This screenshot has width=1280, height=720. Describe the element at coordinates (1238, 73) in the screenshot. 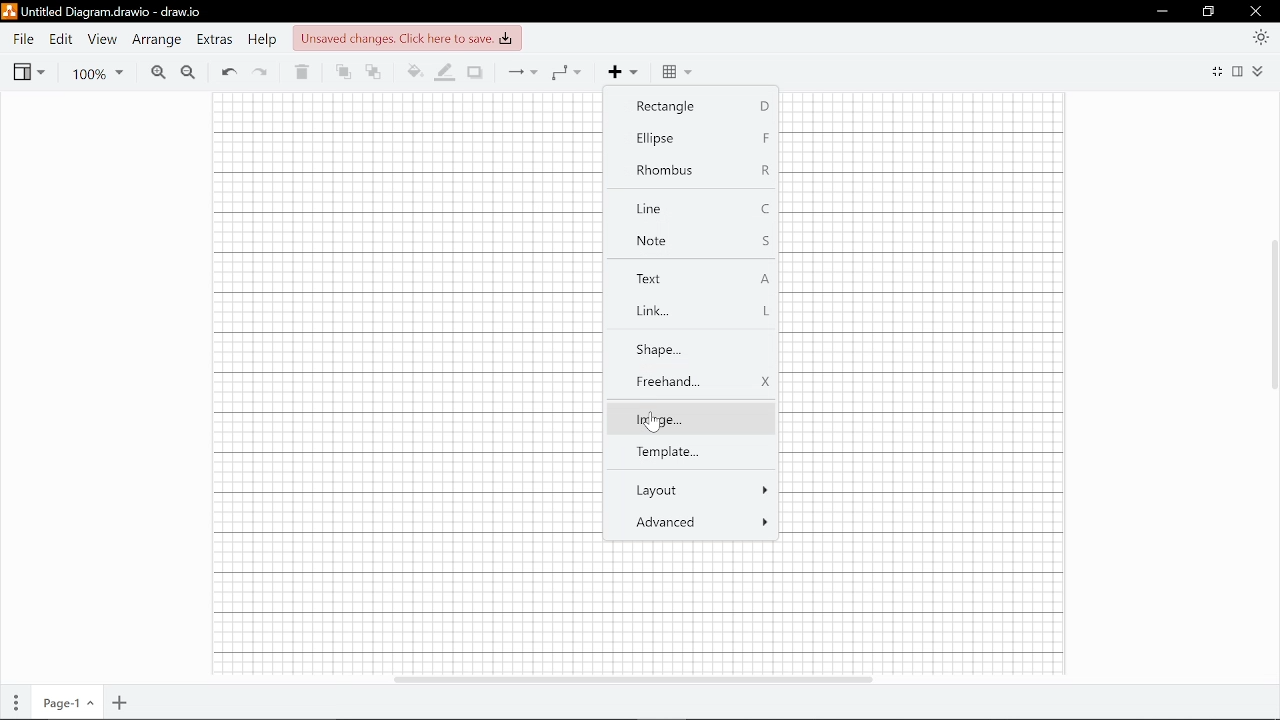

I see `Format` at that location.